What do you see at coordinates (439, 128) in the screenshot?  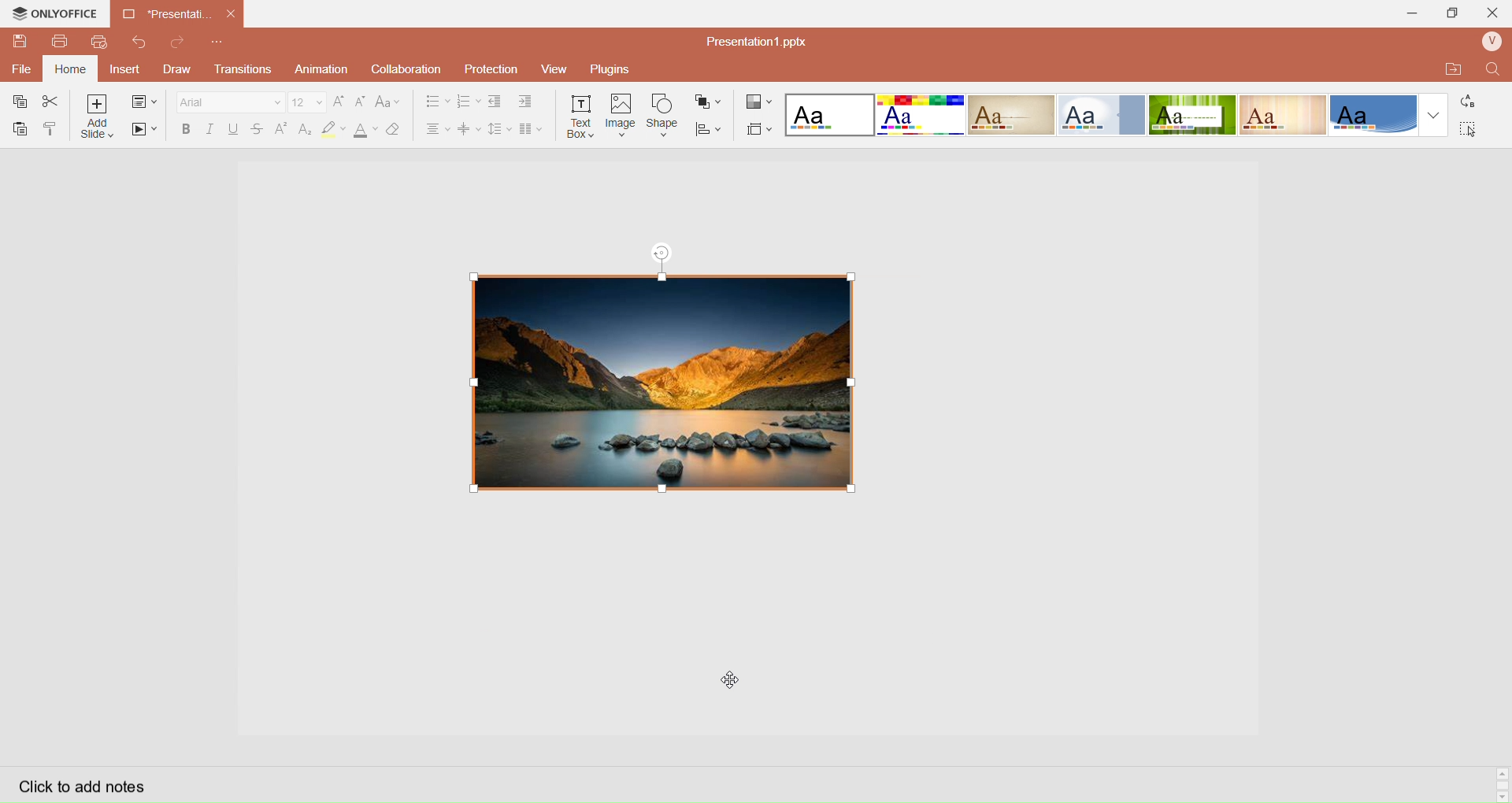 I see `Horizontal Align` at bounding box center [439, 128].